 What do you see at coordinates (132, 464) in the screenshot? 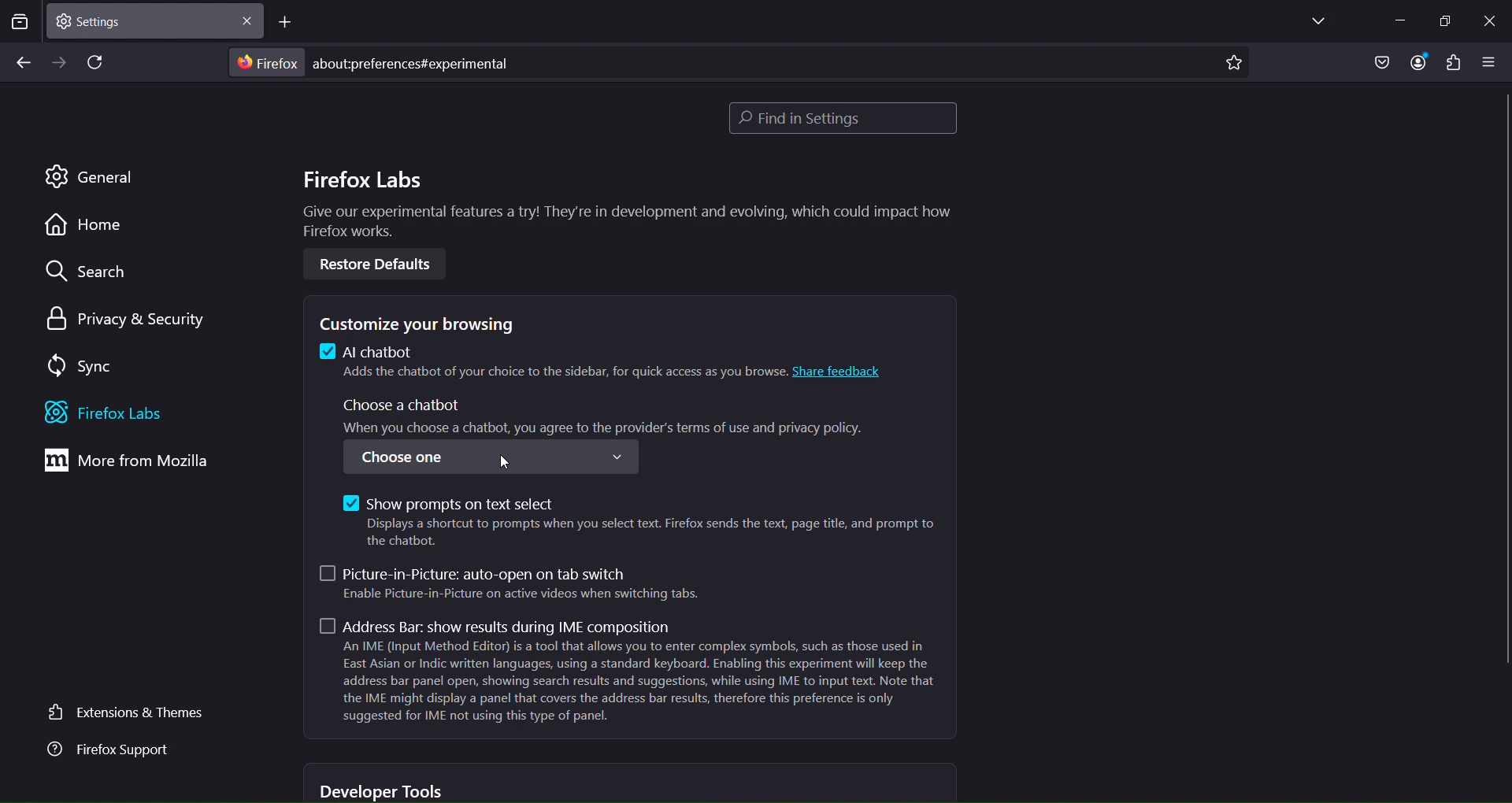
I see `move from mozilla` at bounding box center [132, 464].